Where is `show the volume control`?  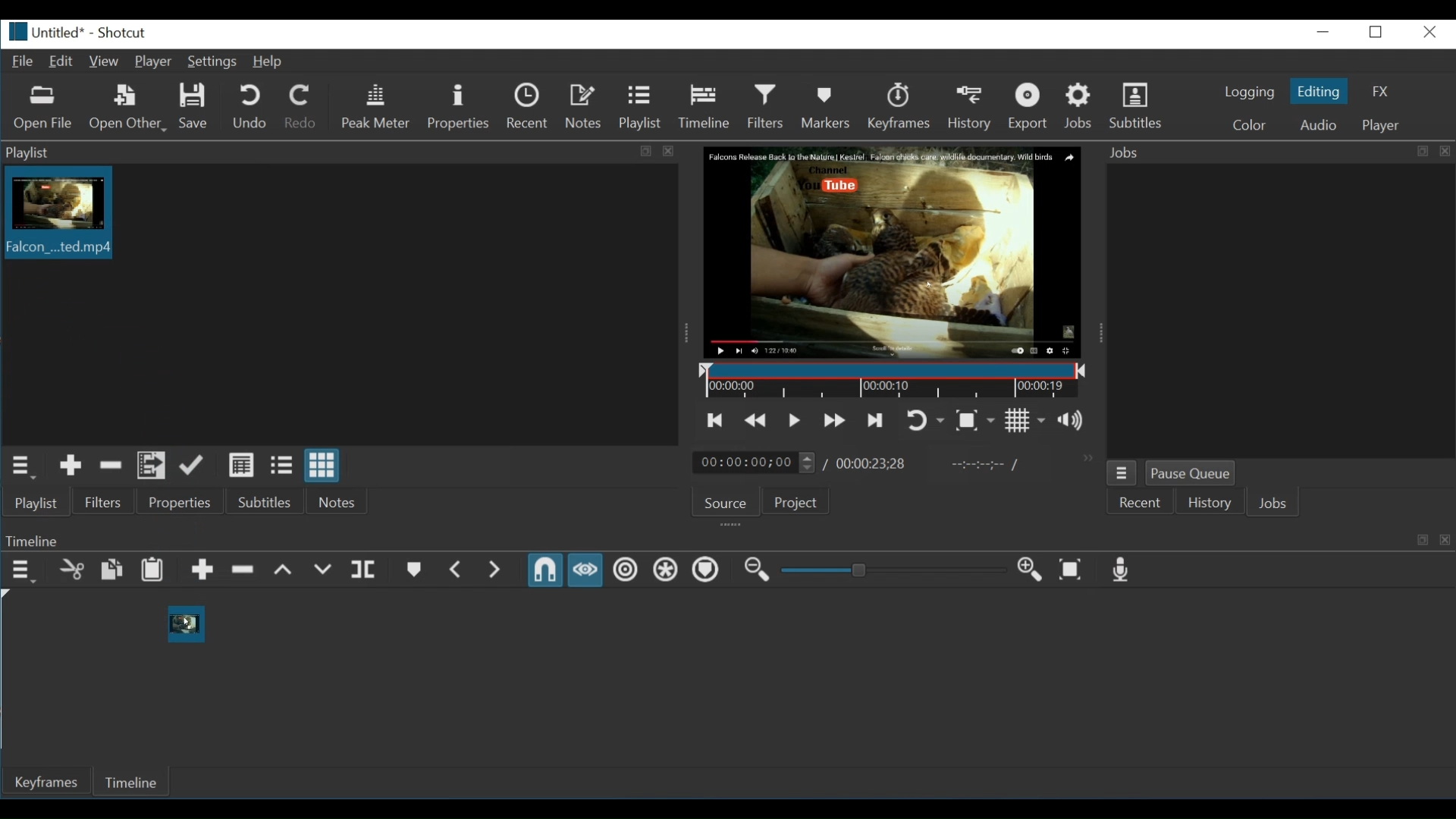
show the volume control is located at coordinates (1075, 420).